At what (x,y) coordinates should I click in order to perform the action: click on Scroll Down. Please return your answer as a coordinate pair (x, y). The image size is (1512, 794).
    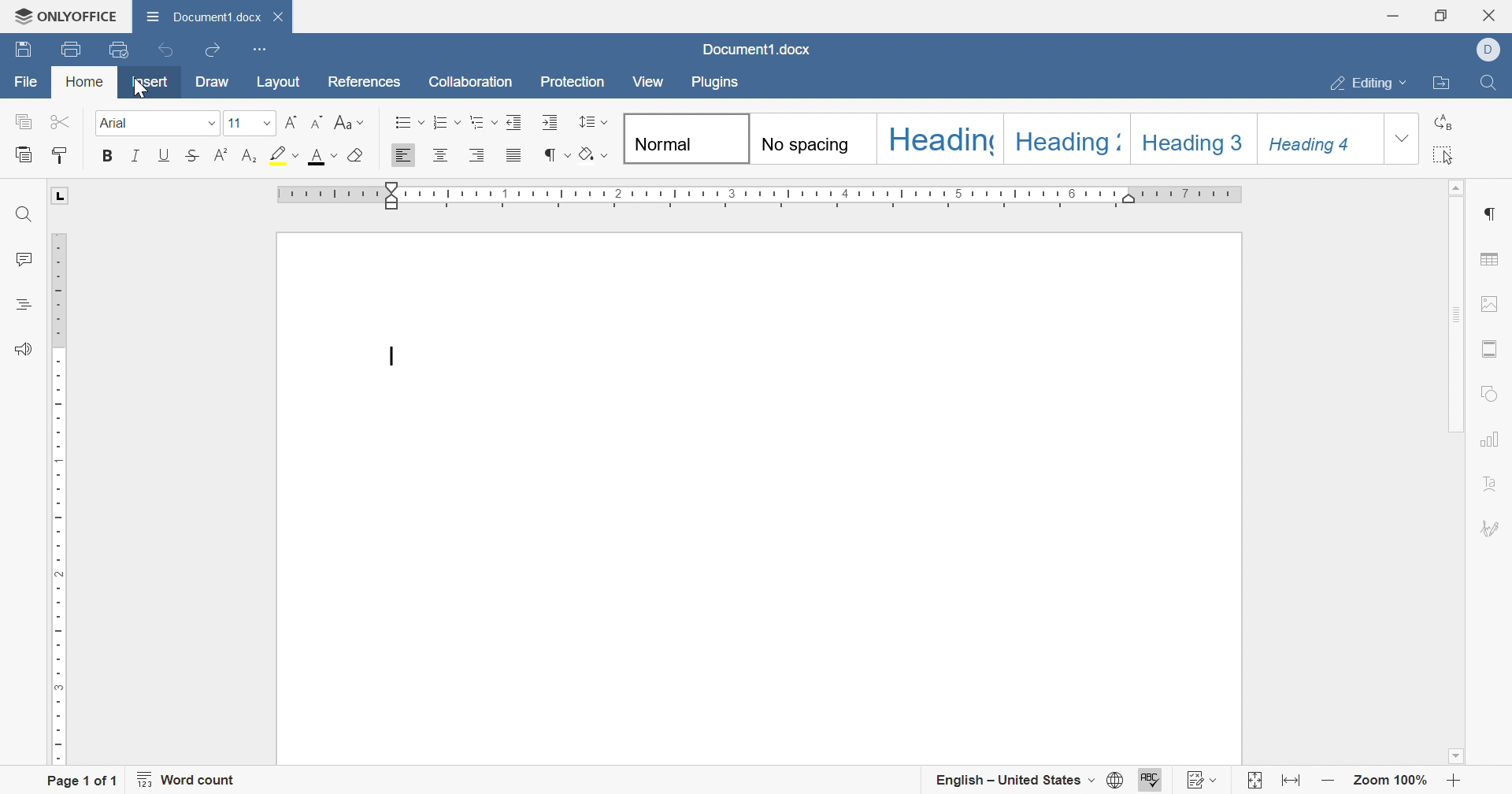
    Looking at the image, I should click on (1455, 755).